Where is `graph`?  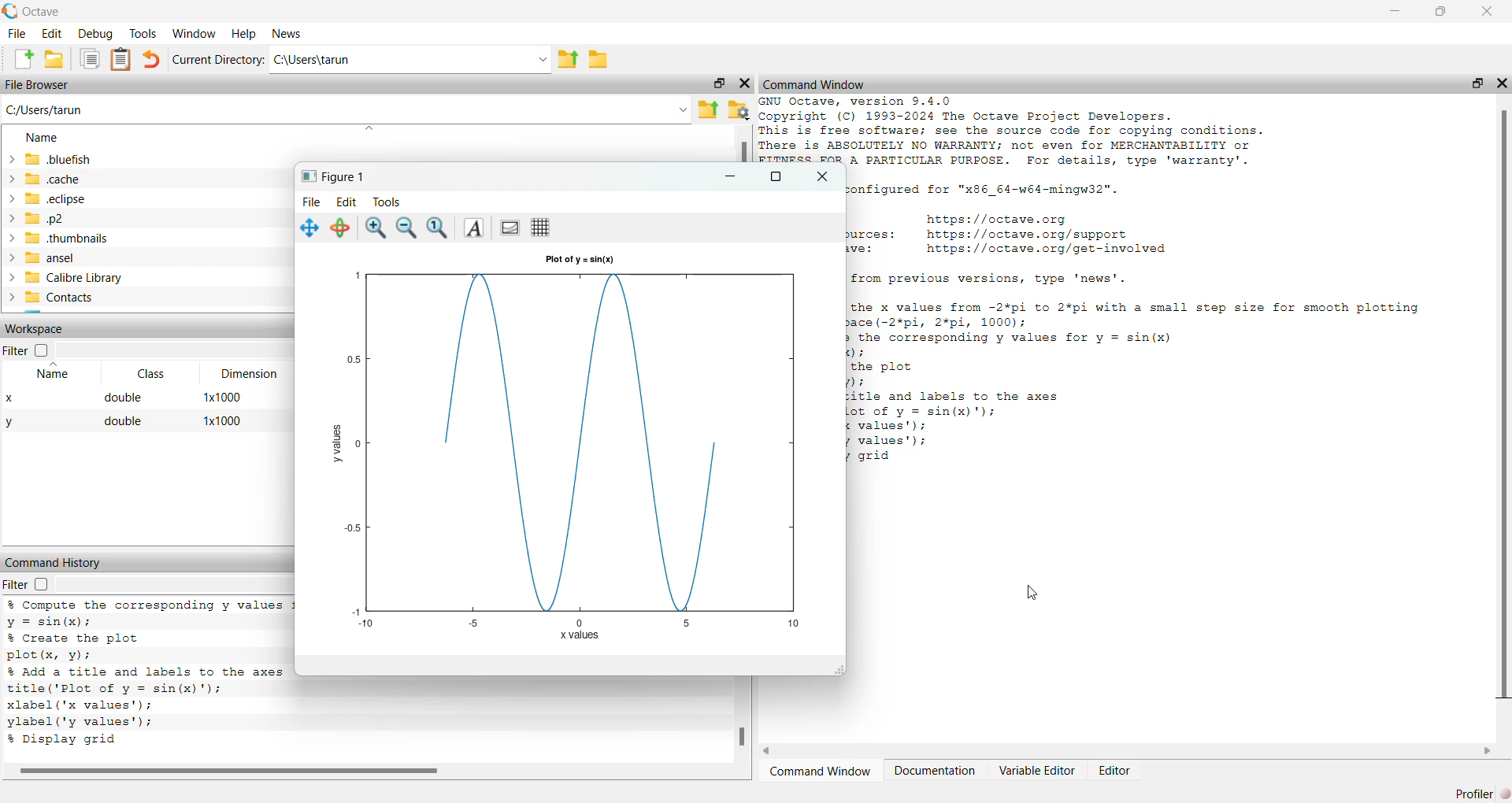
graph is located at coordinates (573, 450).